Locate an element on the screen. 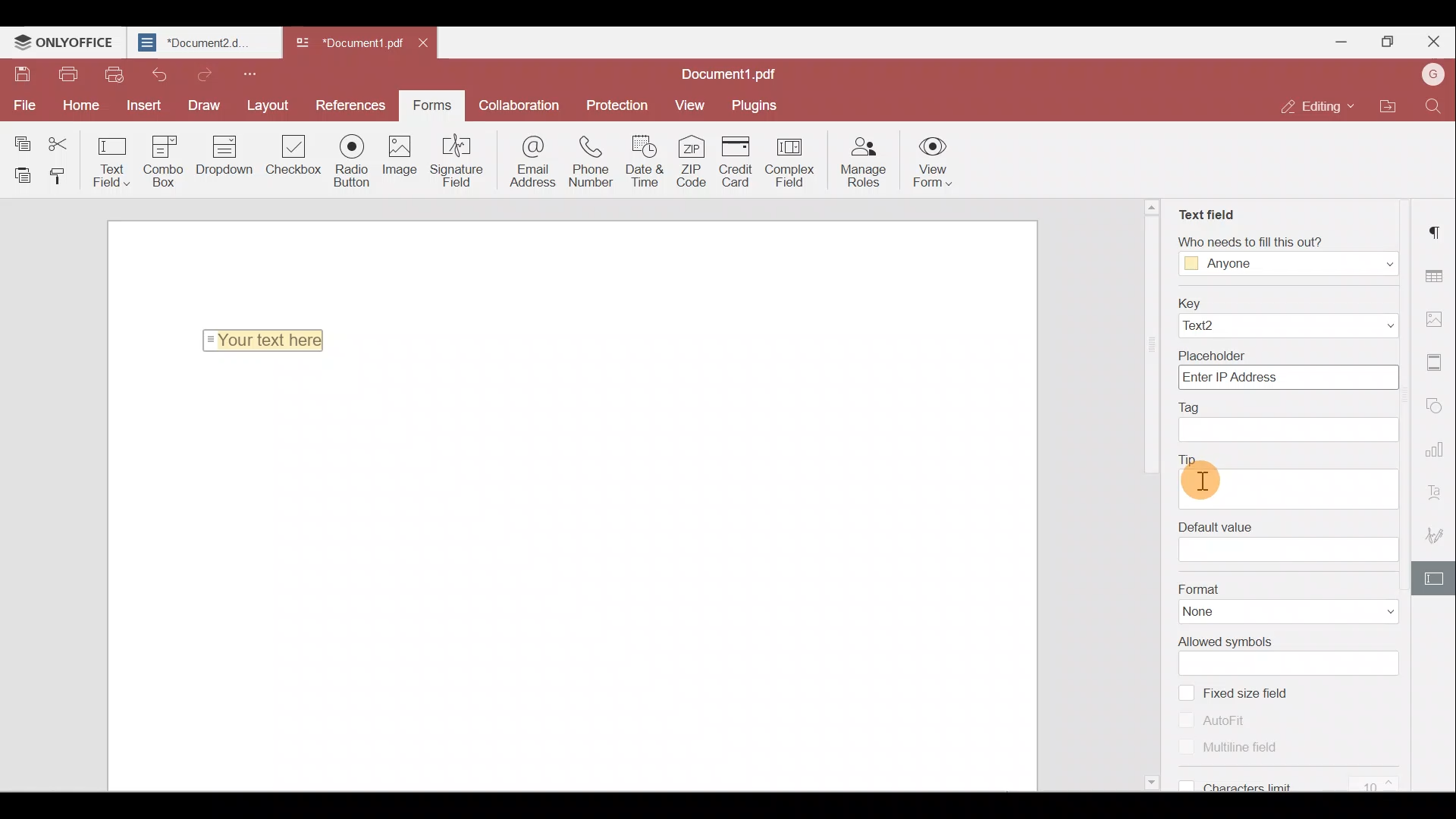  Format dropdown is located at coordinates (1373, 612).